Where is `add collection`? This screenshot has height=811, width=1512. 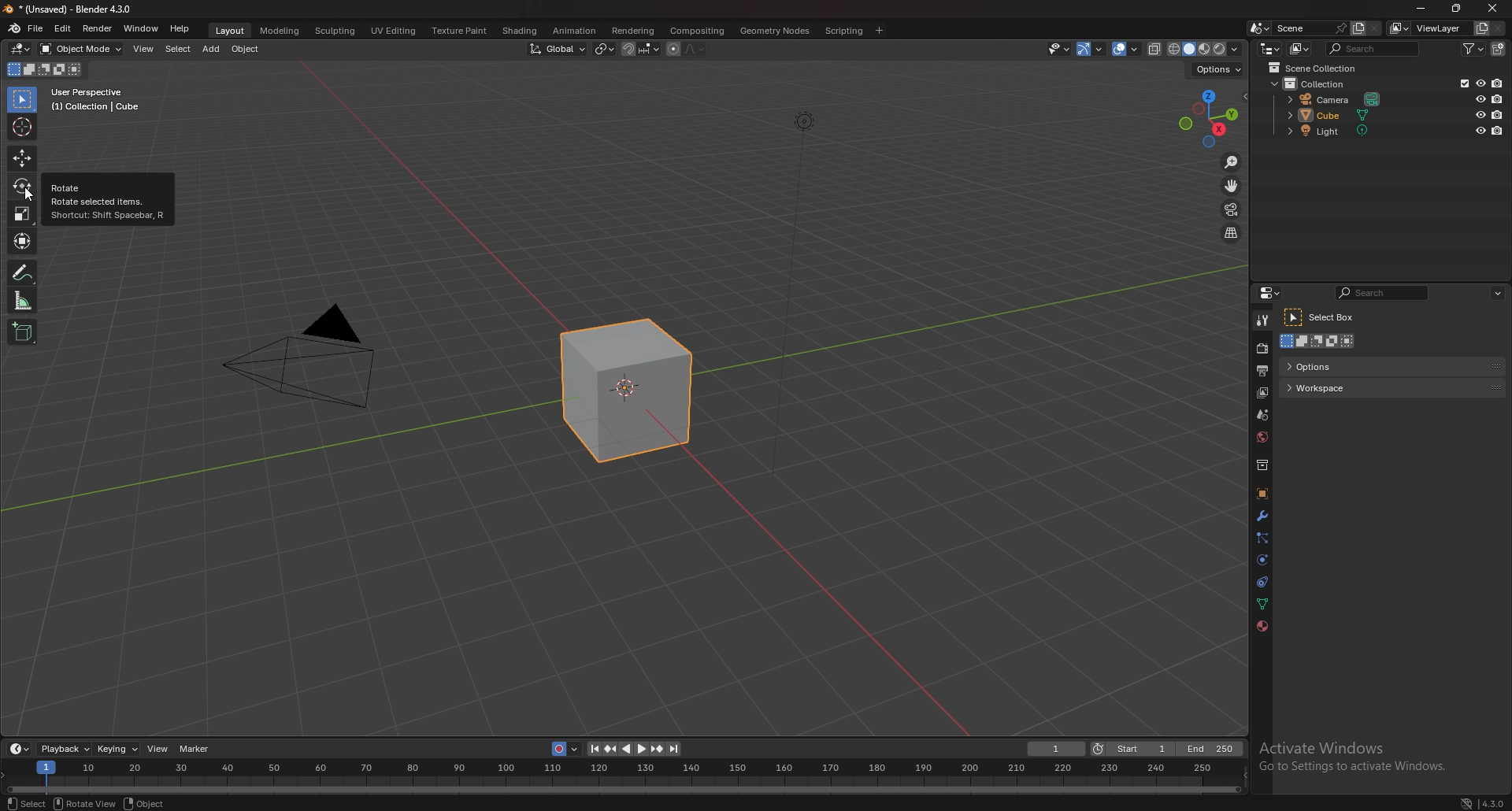
add collection is located at coordinates (1498, 49).